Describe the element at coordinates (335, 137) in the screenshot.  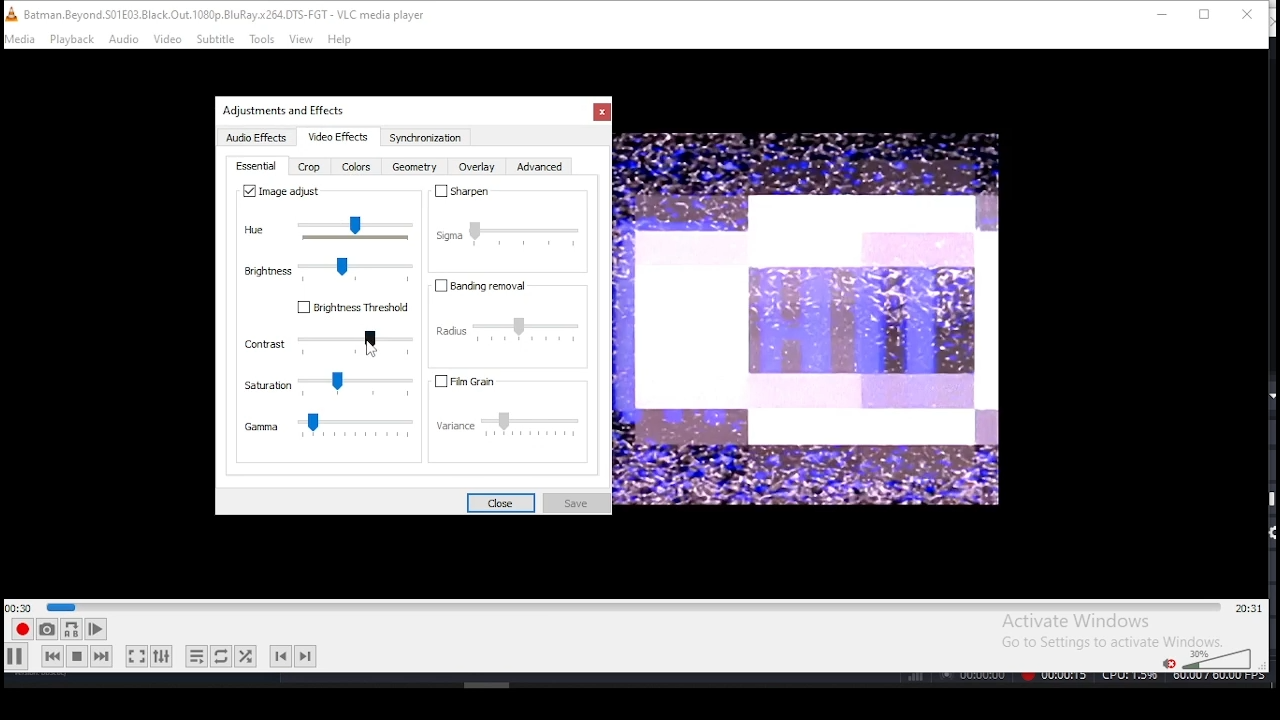
I see `video effects` at that location.